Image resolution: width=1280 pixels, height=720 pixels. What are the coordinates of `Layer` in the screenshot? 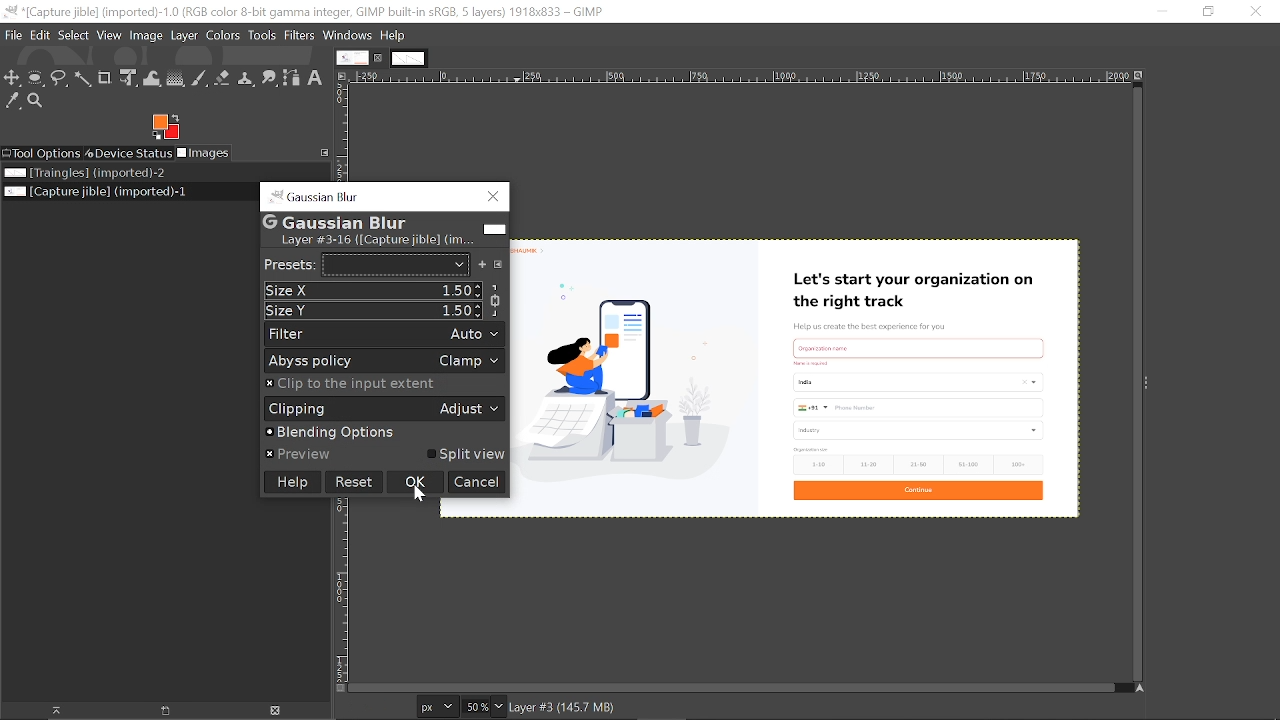 It's located at (185, 37).